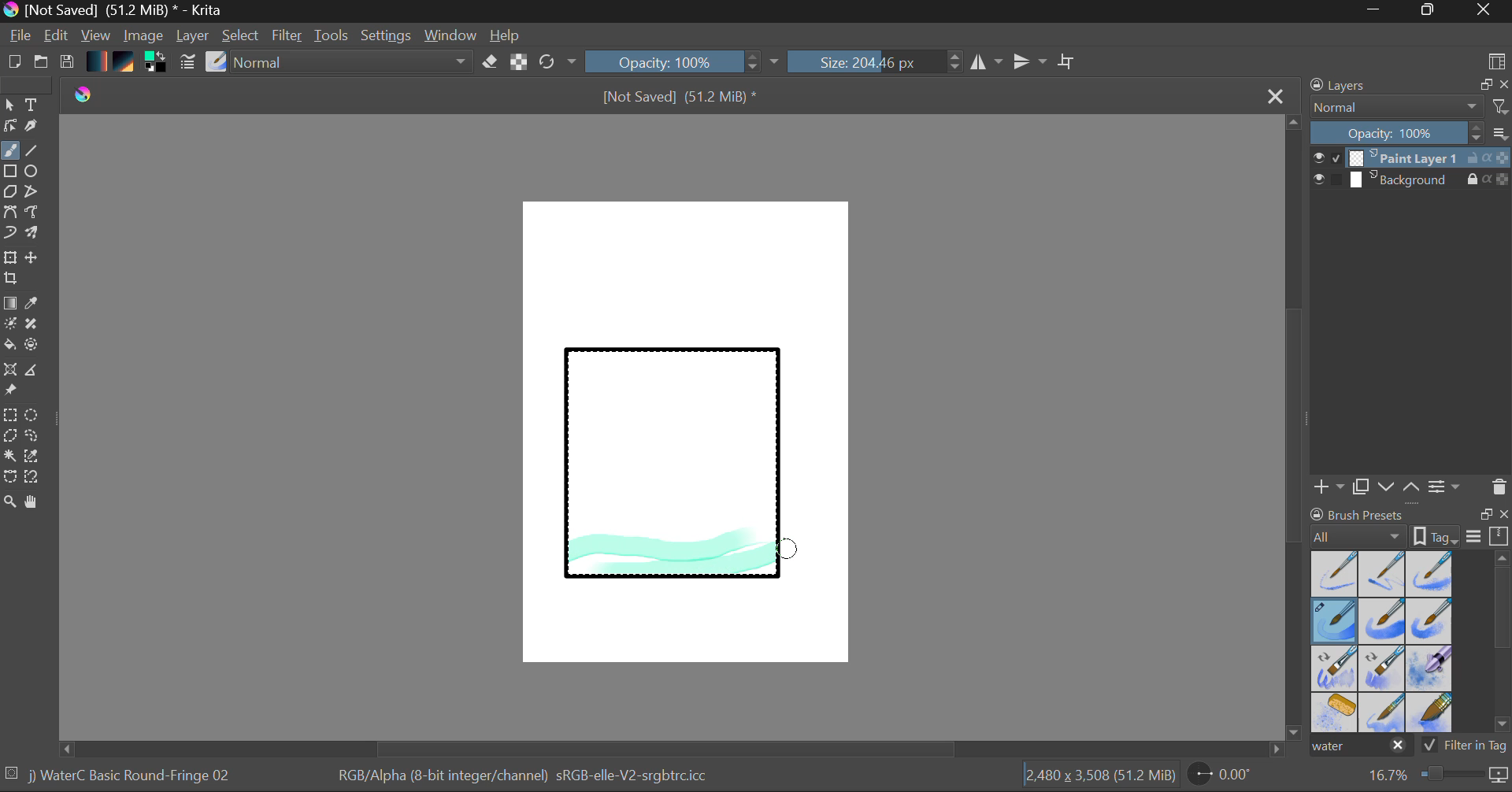 This screenshot has width=1512, height=792. I want to click on Transform Layer, so click(9, 256).